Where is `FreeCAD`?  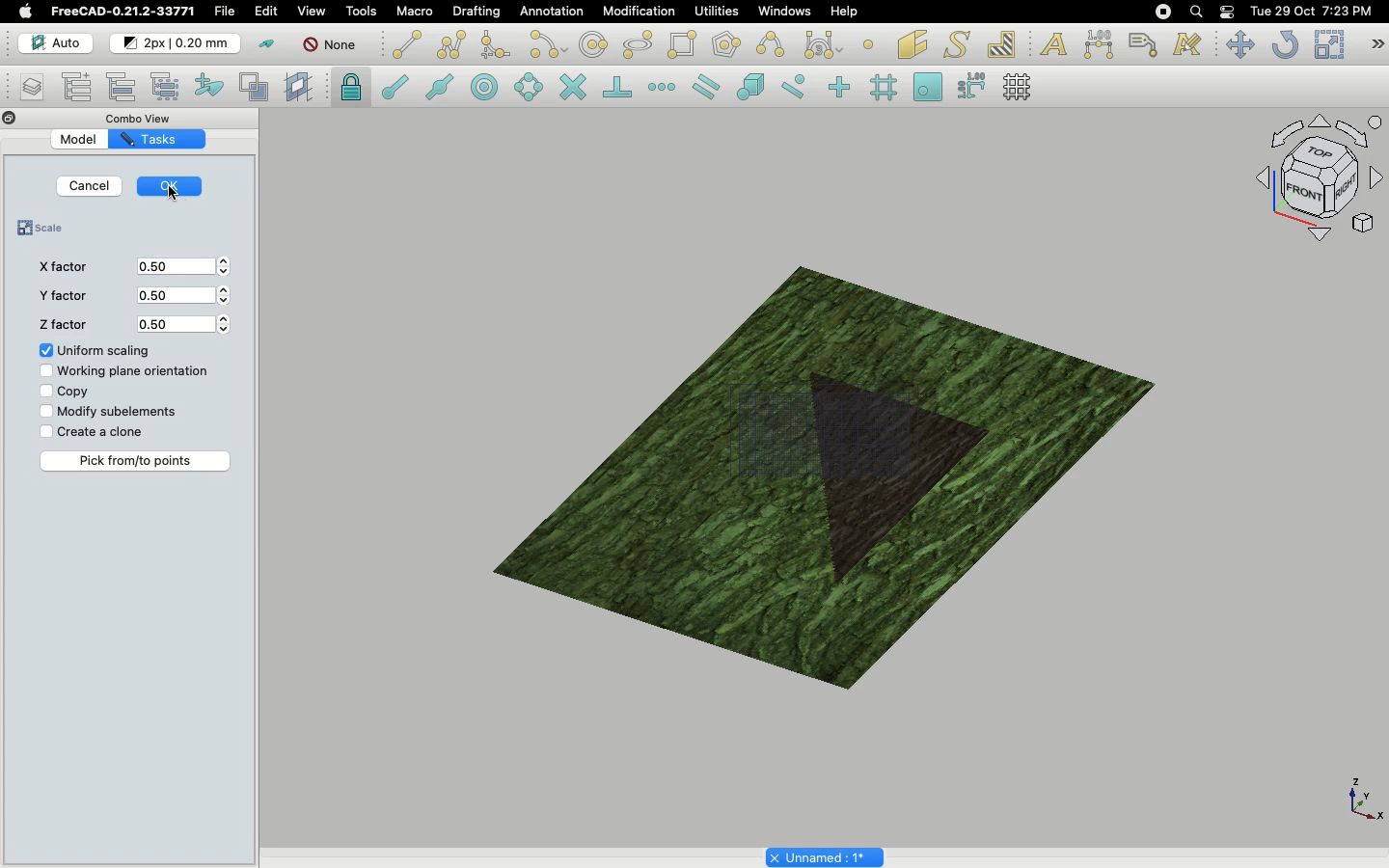 FreeCAD is located at coordinates (122, 12).